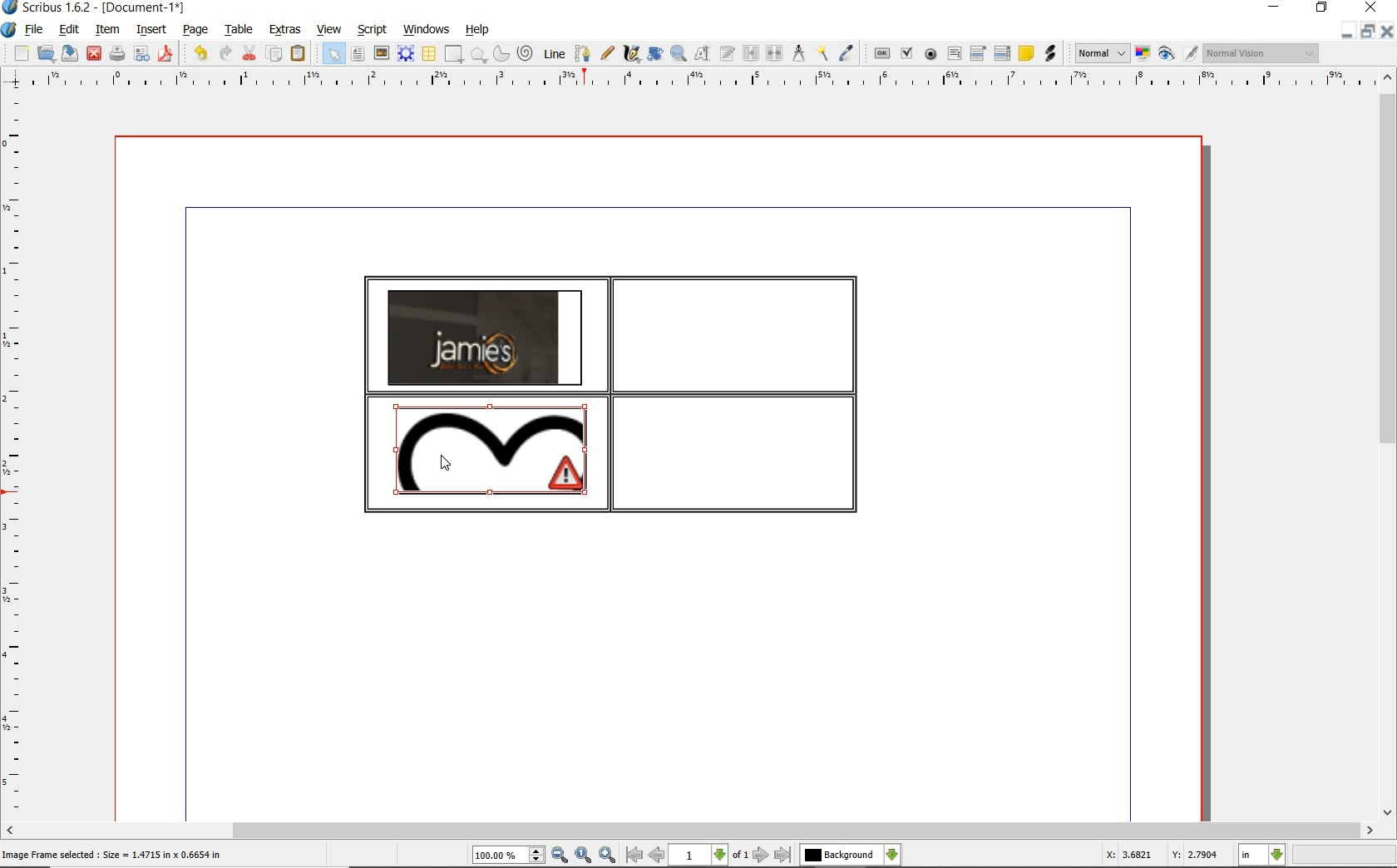 This screenshot has height=868, width=1397. Describe the element at coordinates (560, 856) in the screenshot. I see `zoom out` at that location.